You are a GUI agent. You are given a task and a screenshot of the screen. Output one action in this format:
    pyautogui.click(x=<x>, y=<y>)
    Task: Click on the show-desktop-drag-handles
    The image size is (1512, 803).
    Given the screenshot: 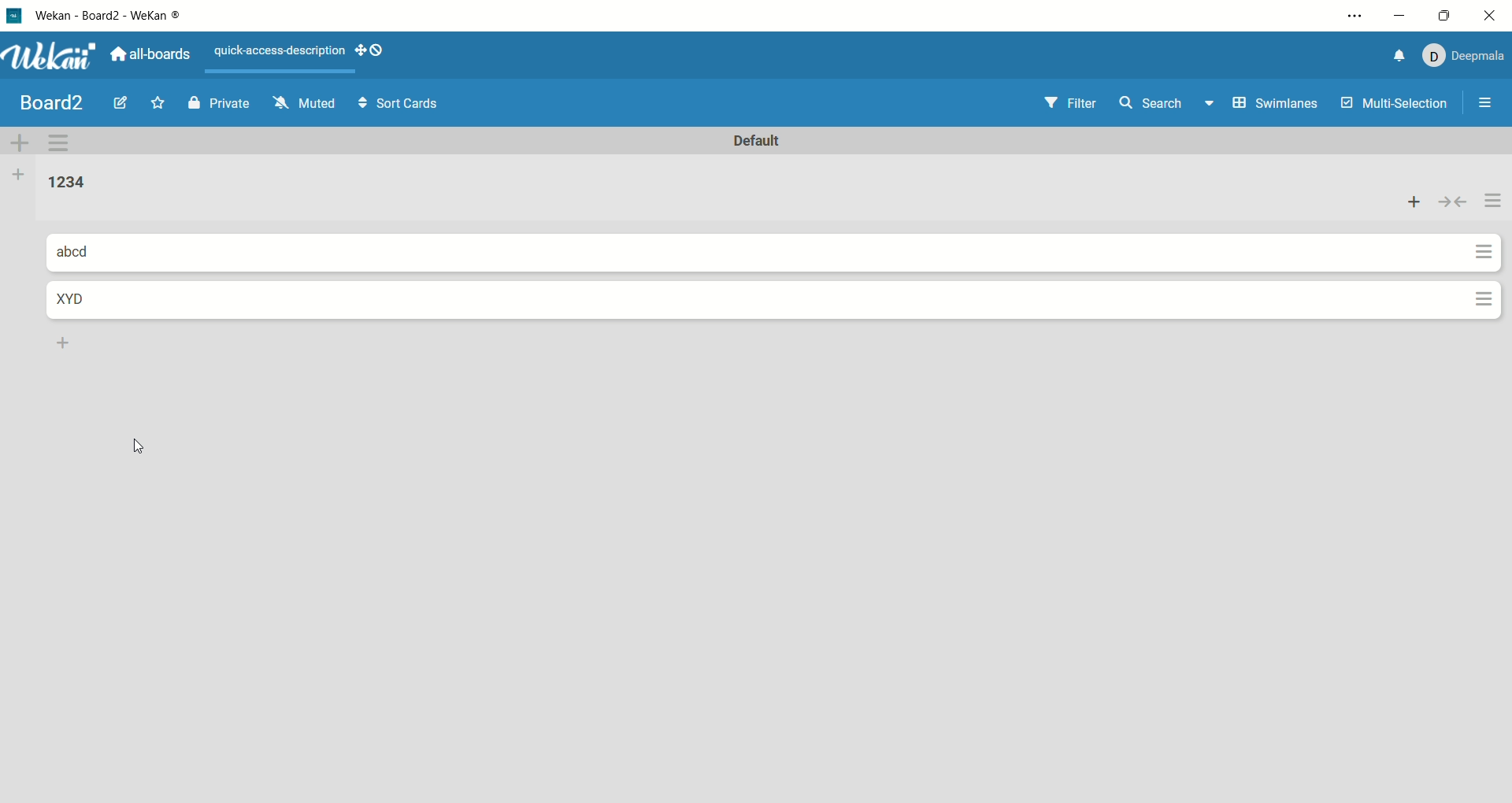 What is the action you would take?
    pyautogui.click(x=361, y=48)
    